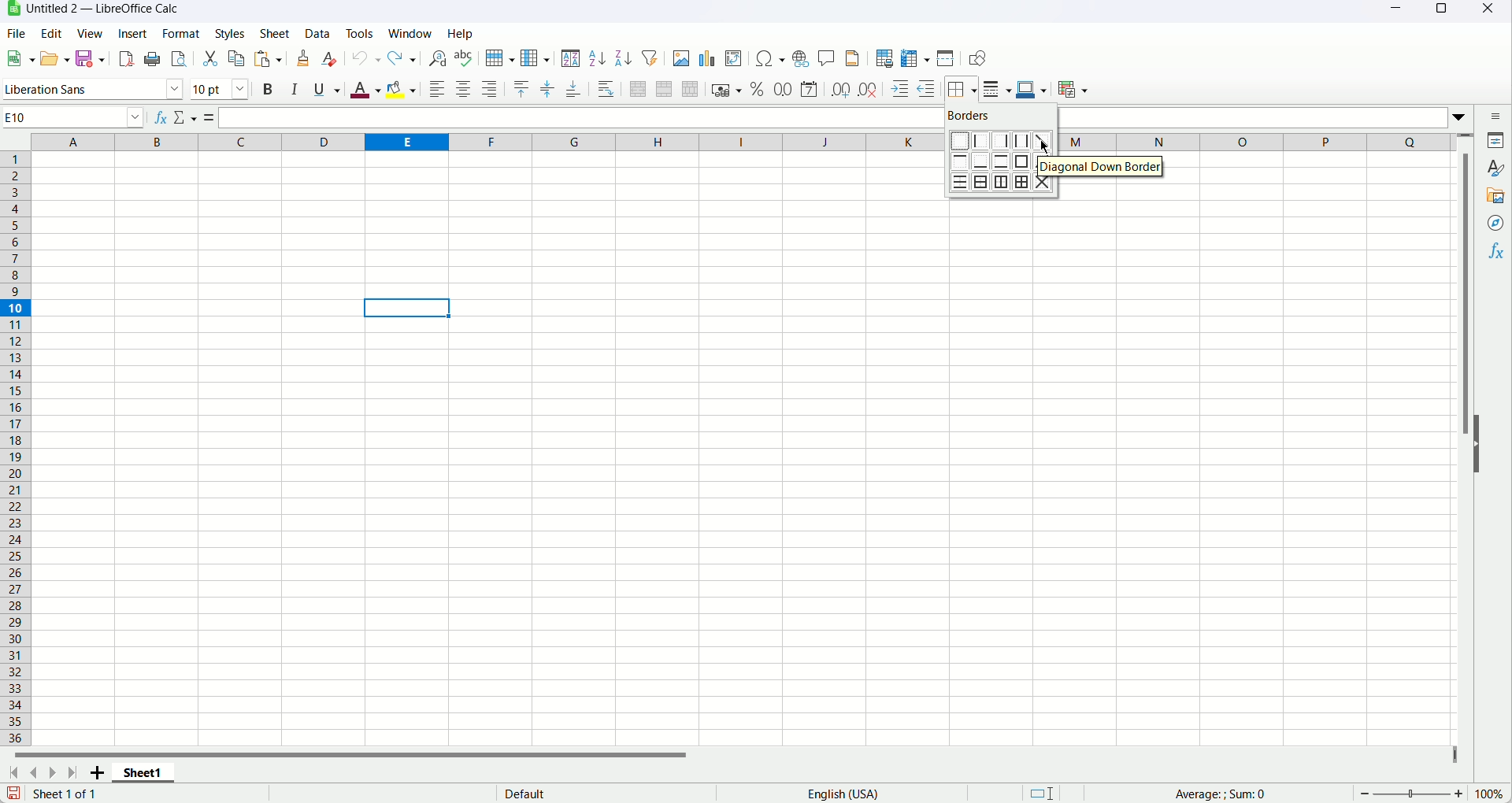 The image size is (1512, 803). I want to click on Split window, so click(947, 58).